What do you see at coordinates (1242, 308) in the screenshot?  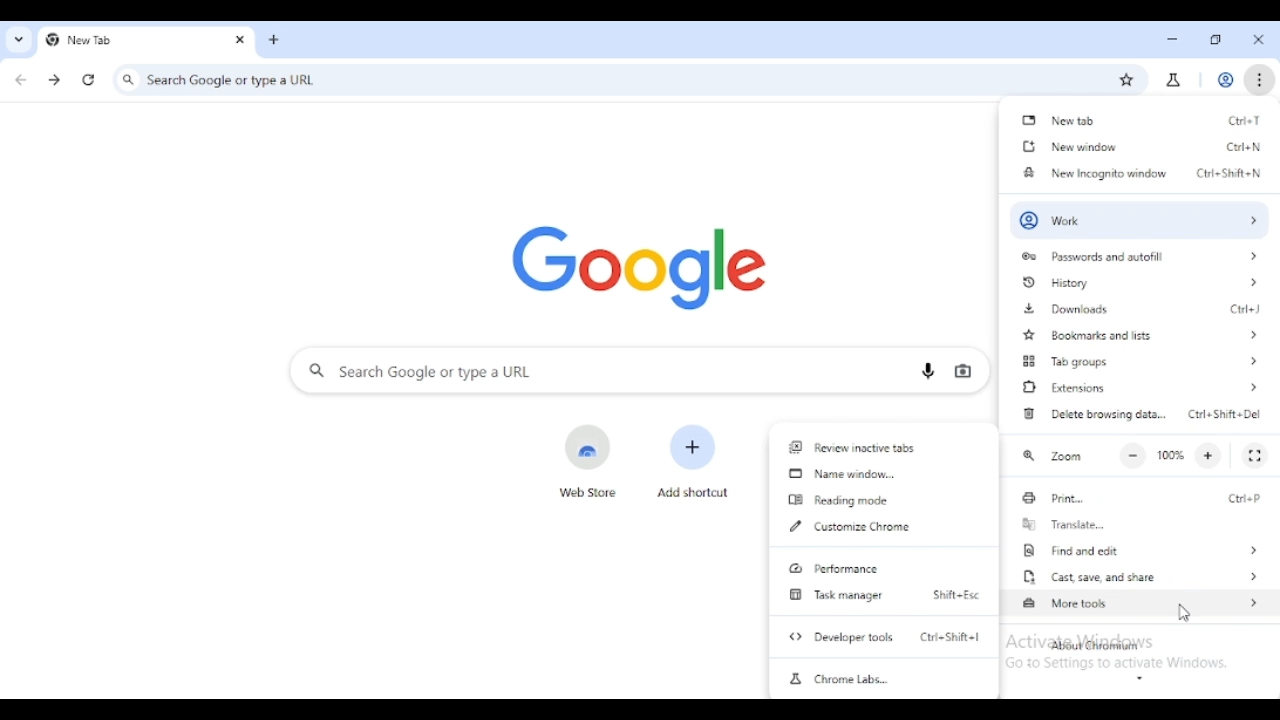 I see `shortcut for downloads` at bounding box center [1242, 308].